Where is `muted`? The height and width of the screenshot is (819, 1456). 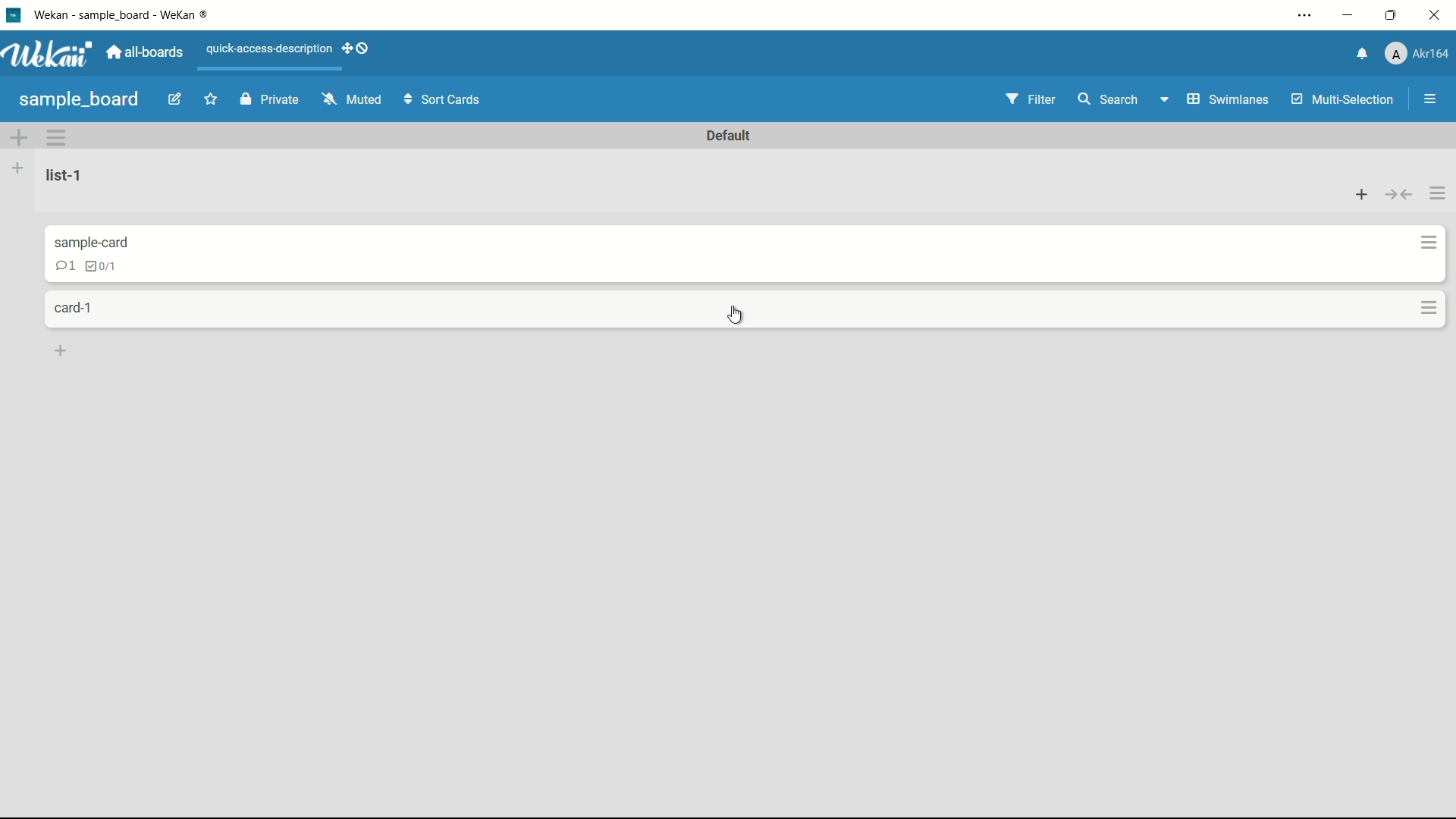
muted is located at coordinates (351, 99).